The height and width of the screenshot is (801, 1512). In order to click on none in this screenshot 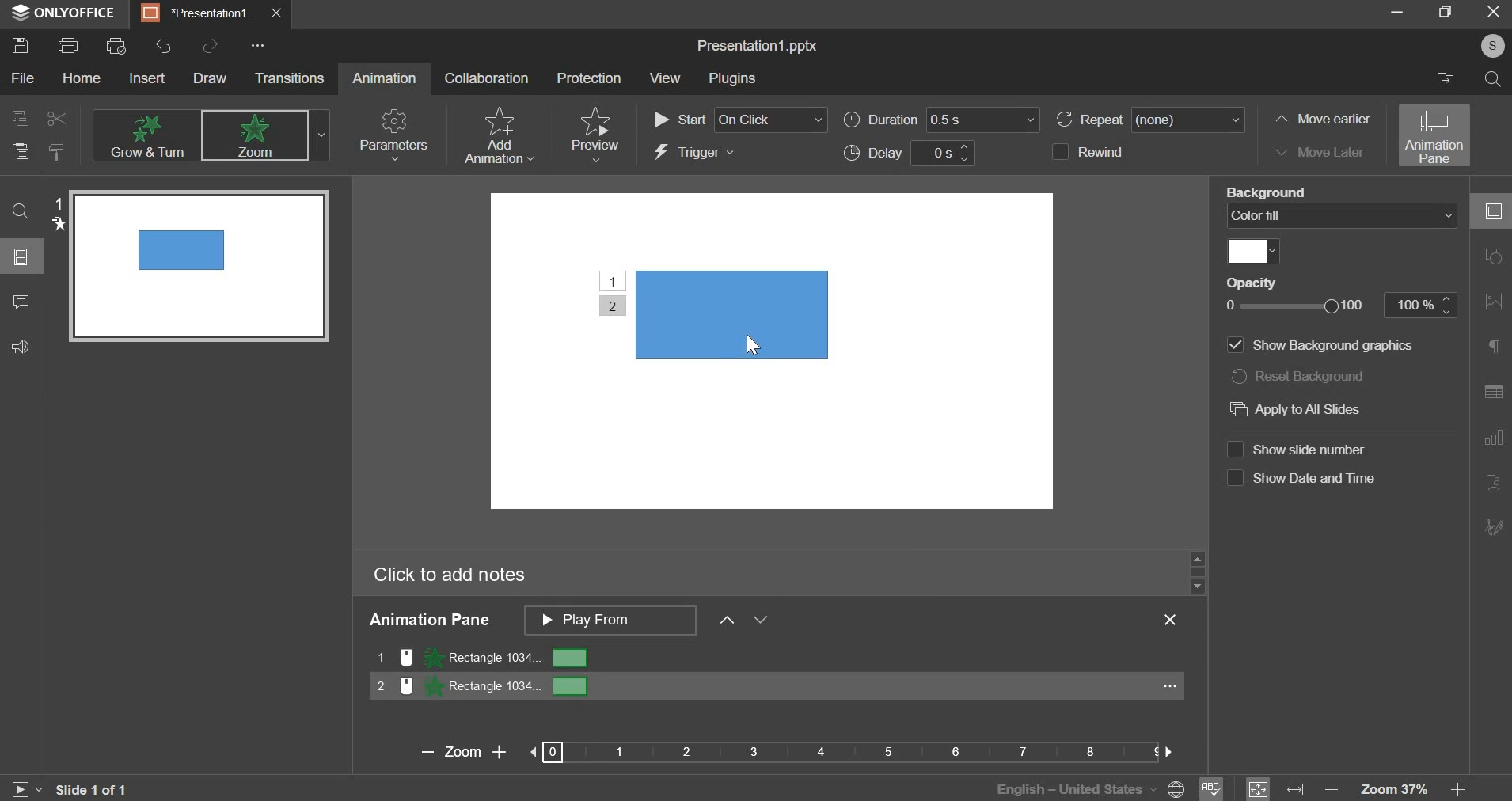, I will do `click(146, 134)`.